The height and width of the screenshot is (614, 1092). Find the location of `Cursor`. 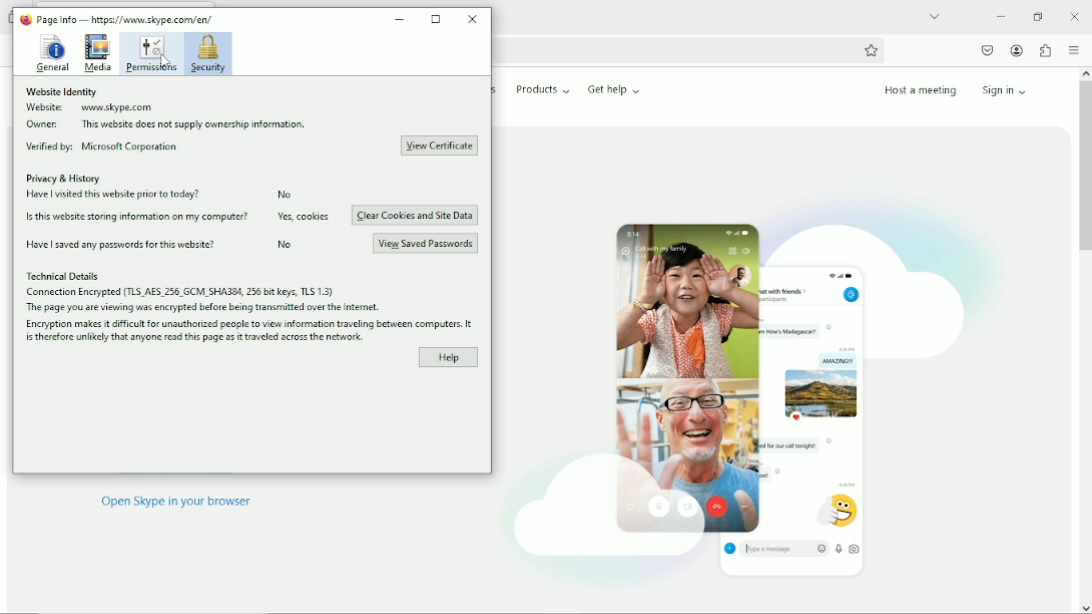

Cursor is located at coordinates (165, 65).